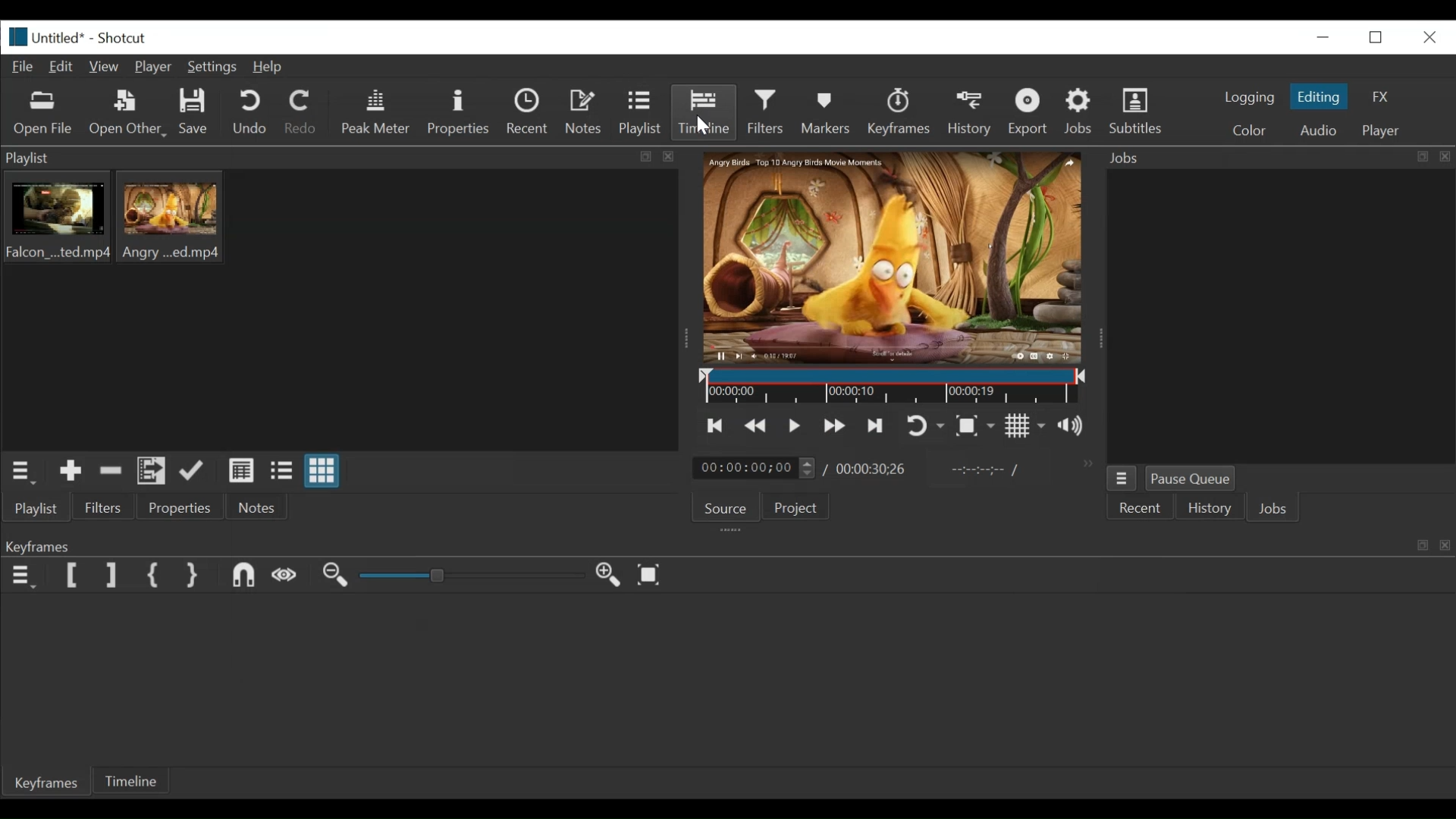  I want to click on Playlist, so click(641, 114).